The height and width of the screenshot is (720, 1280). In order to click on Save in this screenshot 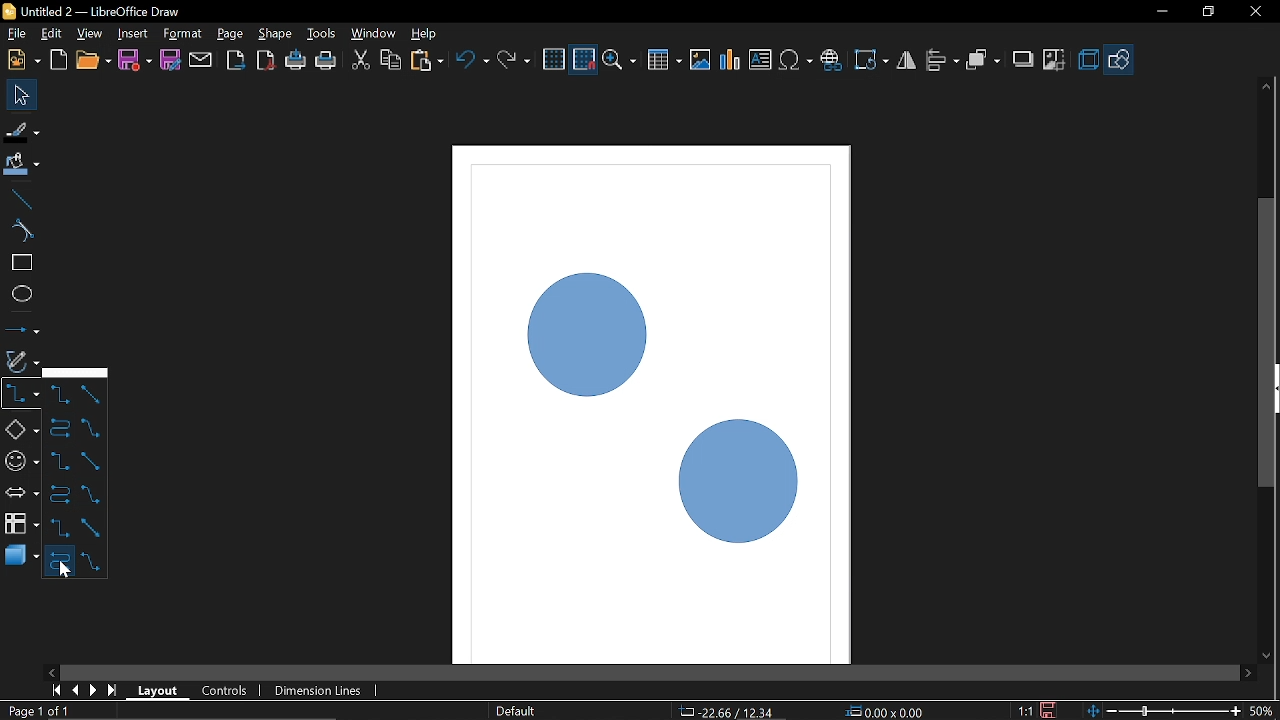, I will do `click(133, 60)`.